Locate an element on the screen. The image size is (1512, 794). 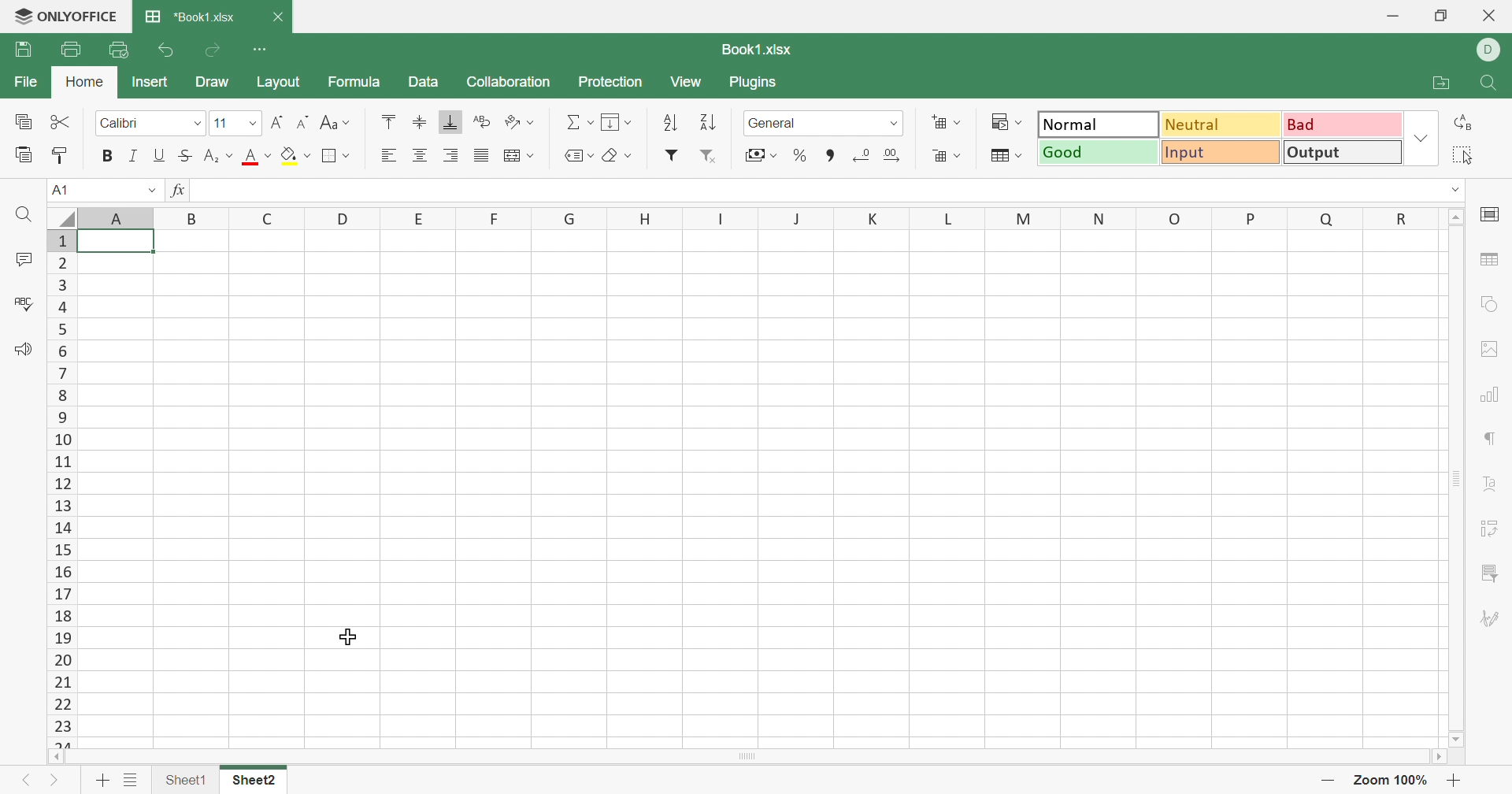
Align Middle is located at coordinates (420, 121).